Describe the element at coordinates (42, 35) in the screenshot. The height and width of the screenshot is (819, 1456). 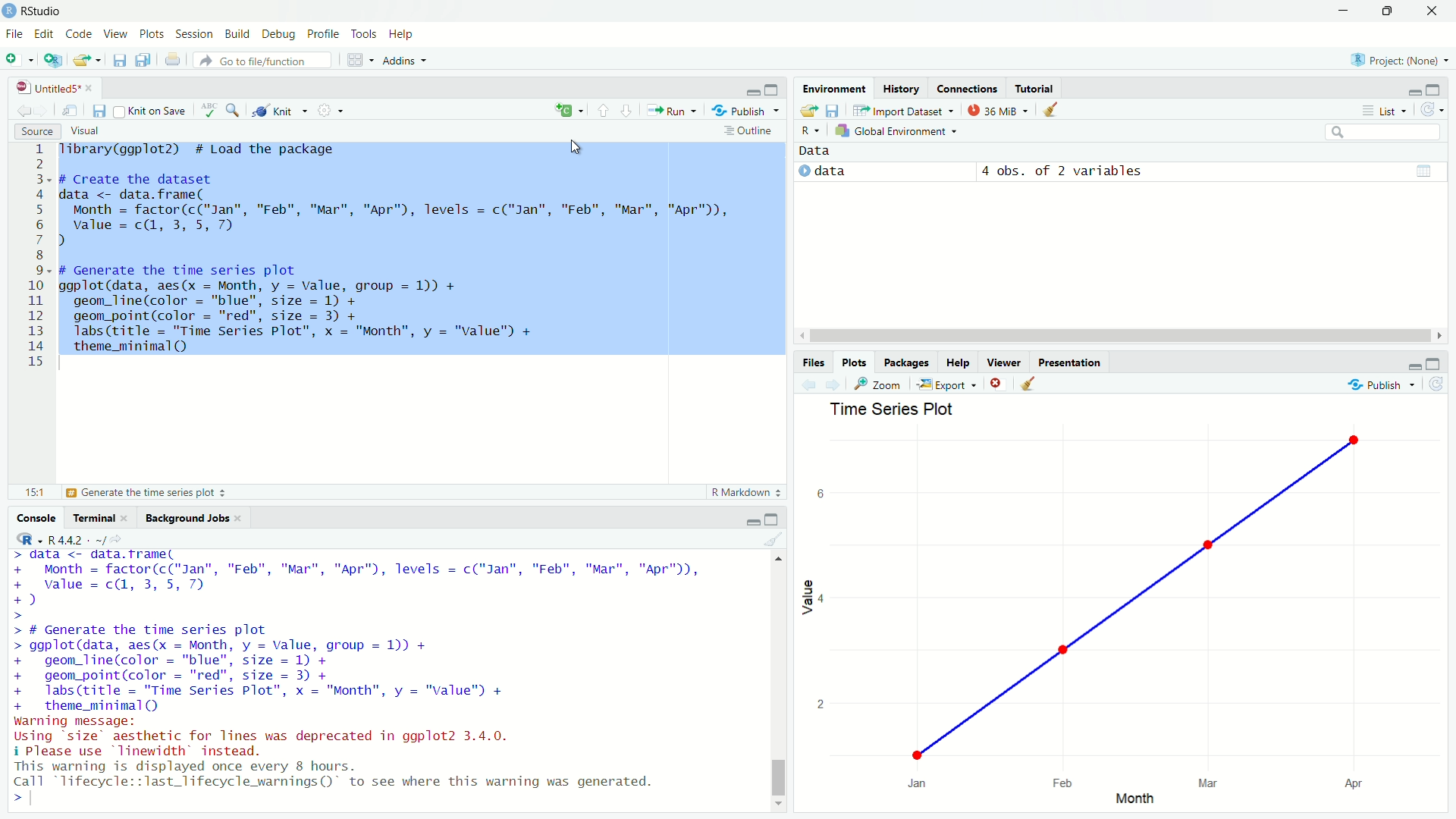
I see `edit` at that location.